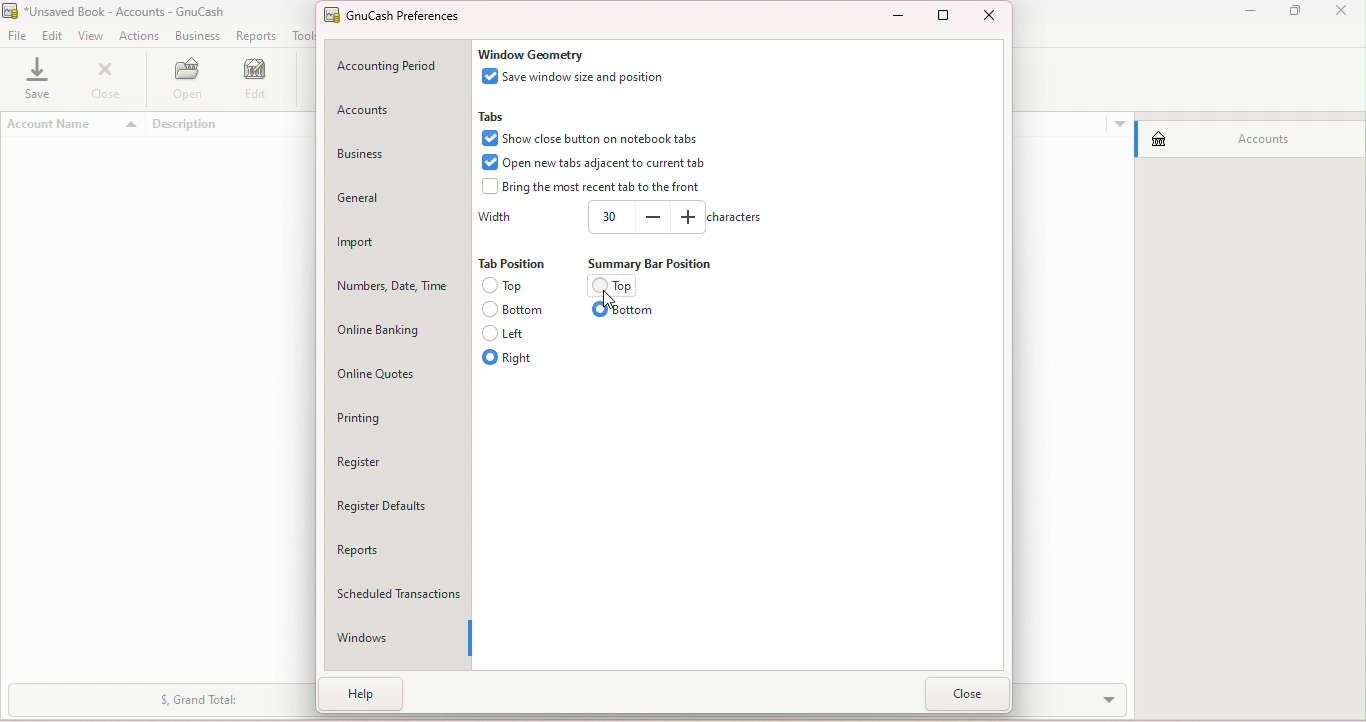 The height and width of the screenshot is (722, 1366). What do you see at coordinates (623, 312) in the screenshot?
I see `Bottom` at bounding box center [623, 312].